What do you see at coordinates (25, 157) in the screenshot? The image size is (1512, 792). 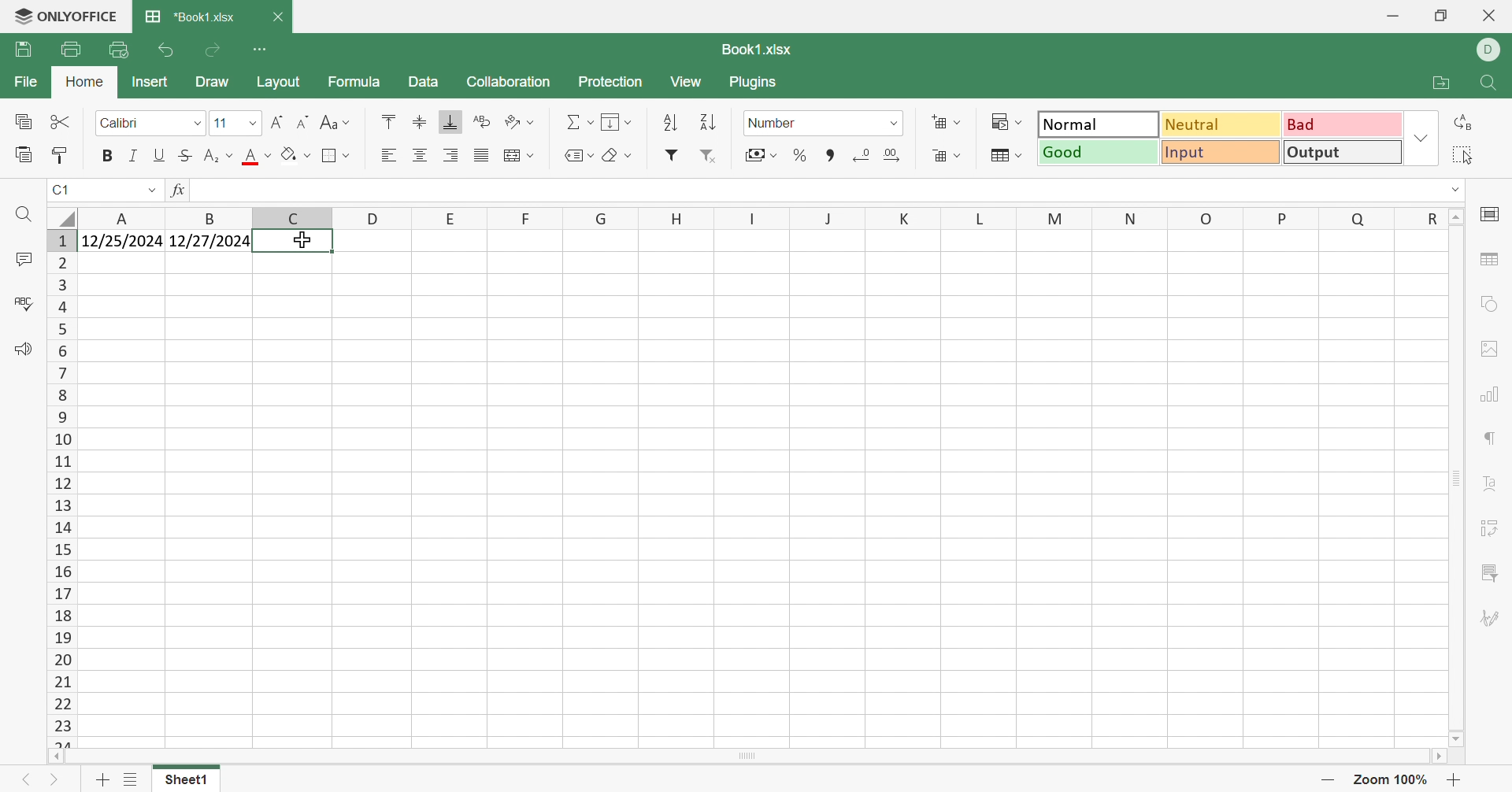 I see `Paste` at bounding box center [25, 157].